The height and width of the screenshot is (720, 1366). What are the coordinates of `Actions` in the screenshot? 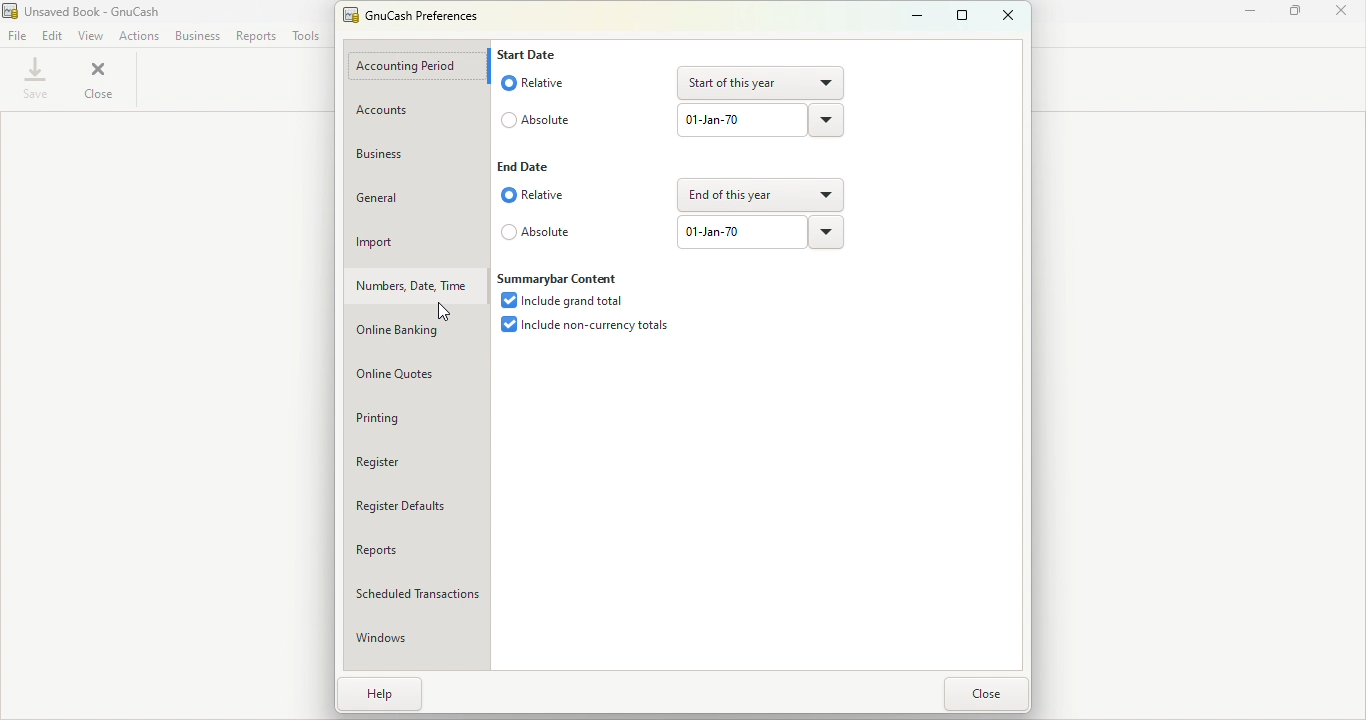 It's located at (137, 35).